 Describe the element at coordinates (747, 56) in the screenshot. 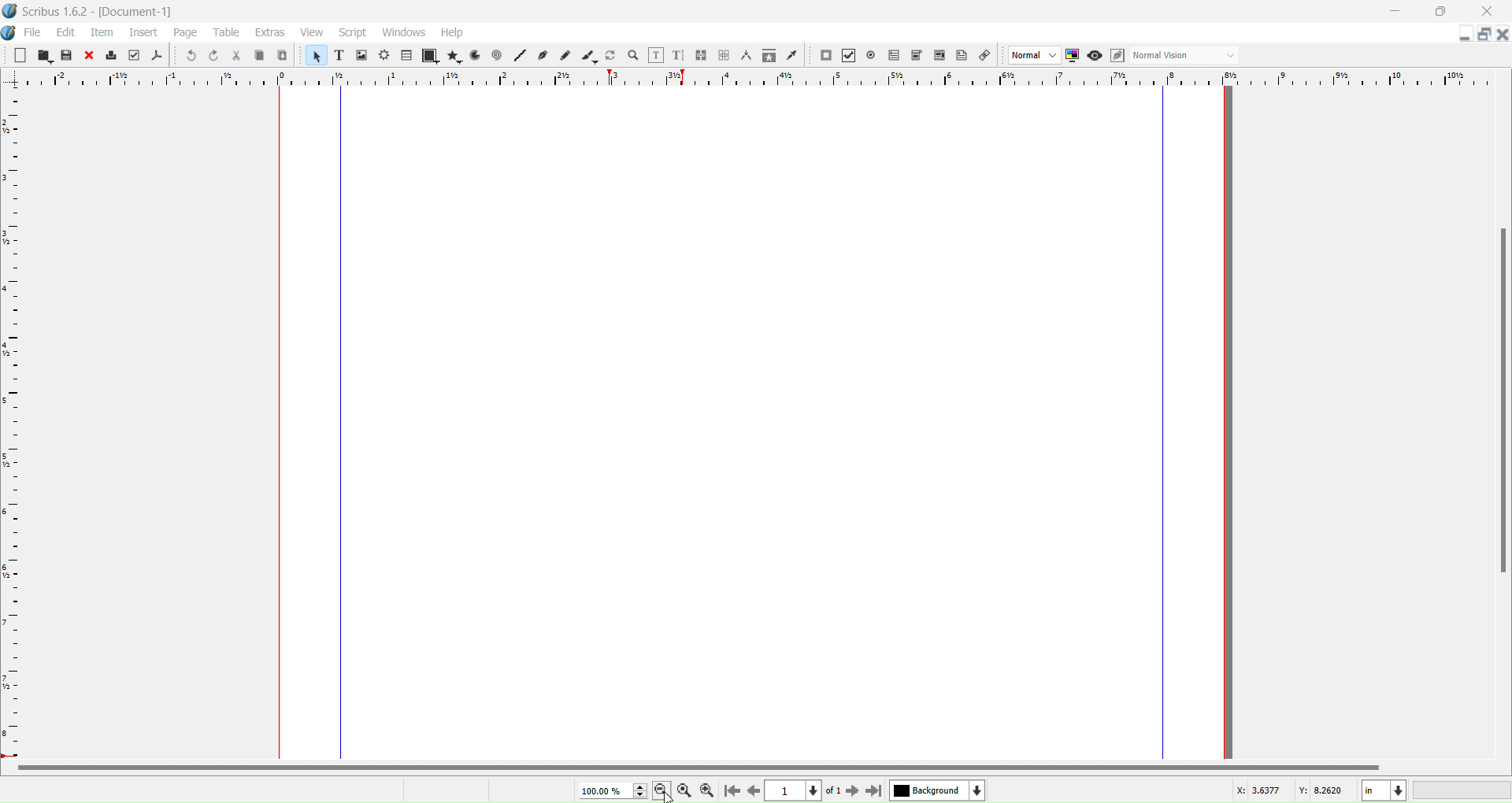

I see `Measurements` at that location.